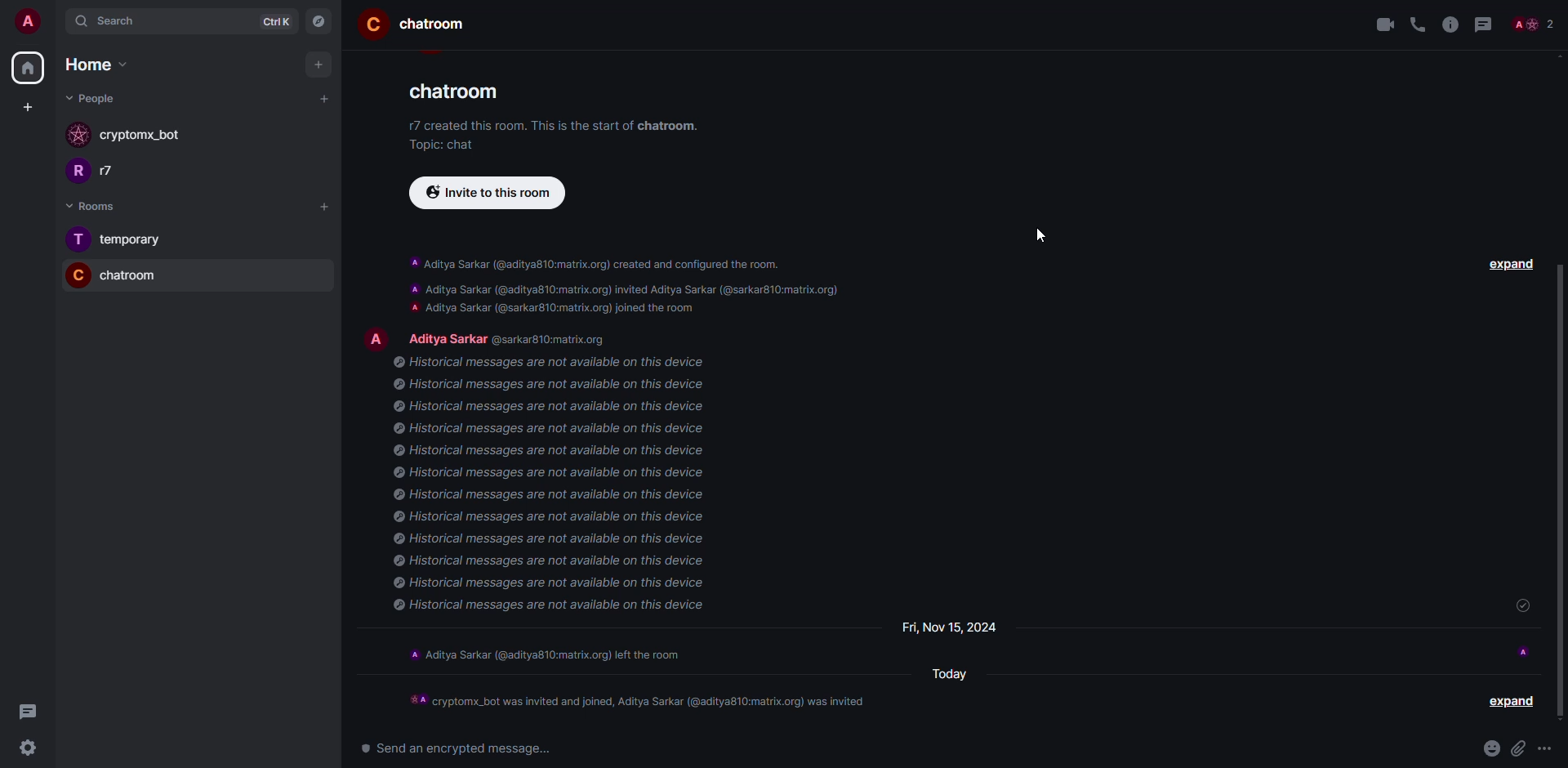 The height and width of the screenshot is (768, 1568). I want to click on room, so click(460, 96).